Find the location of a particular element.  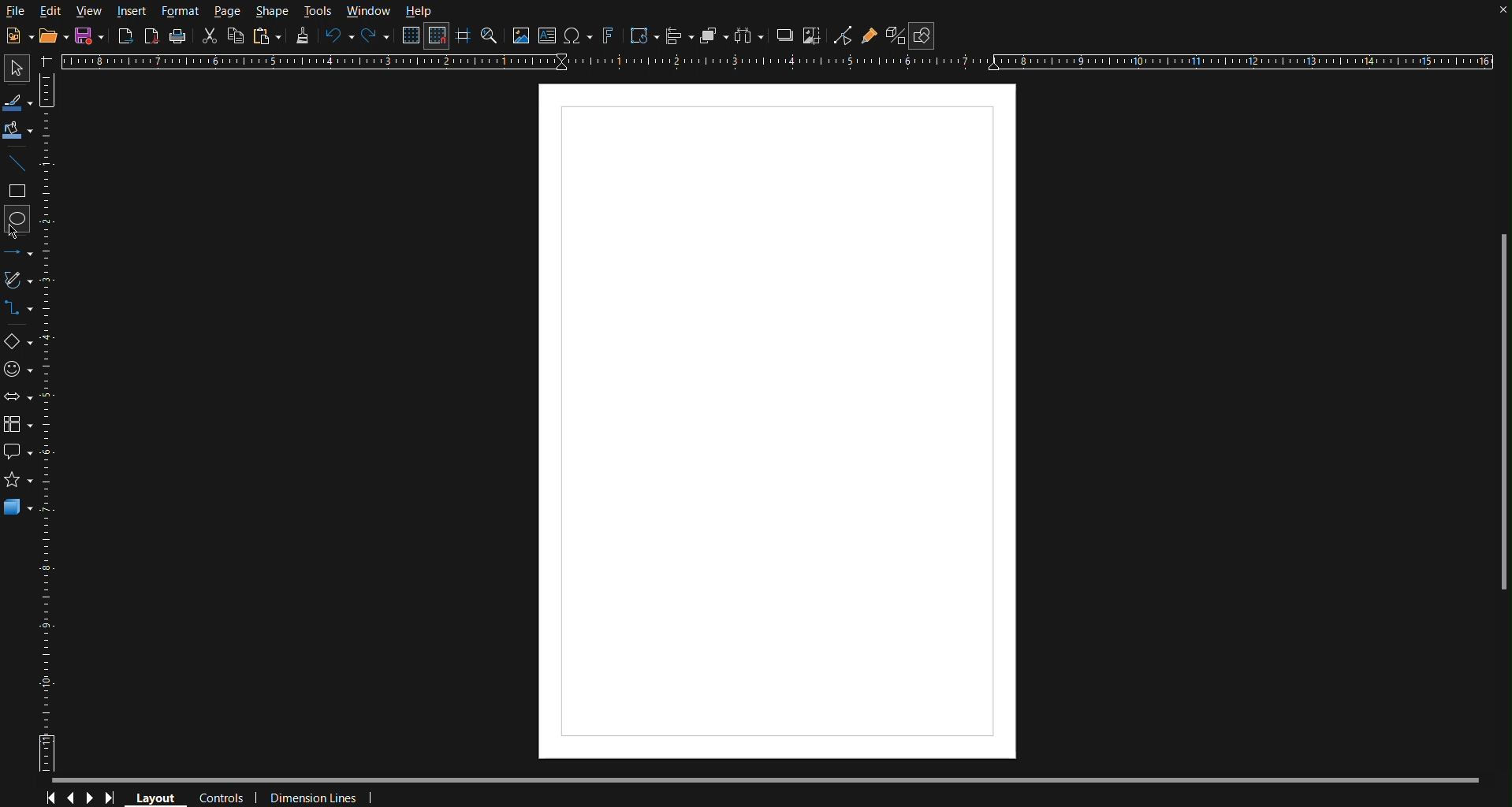

Format is located at coordinates (184, 9).